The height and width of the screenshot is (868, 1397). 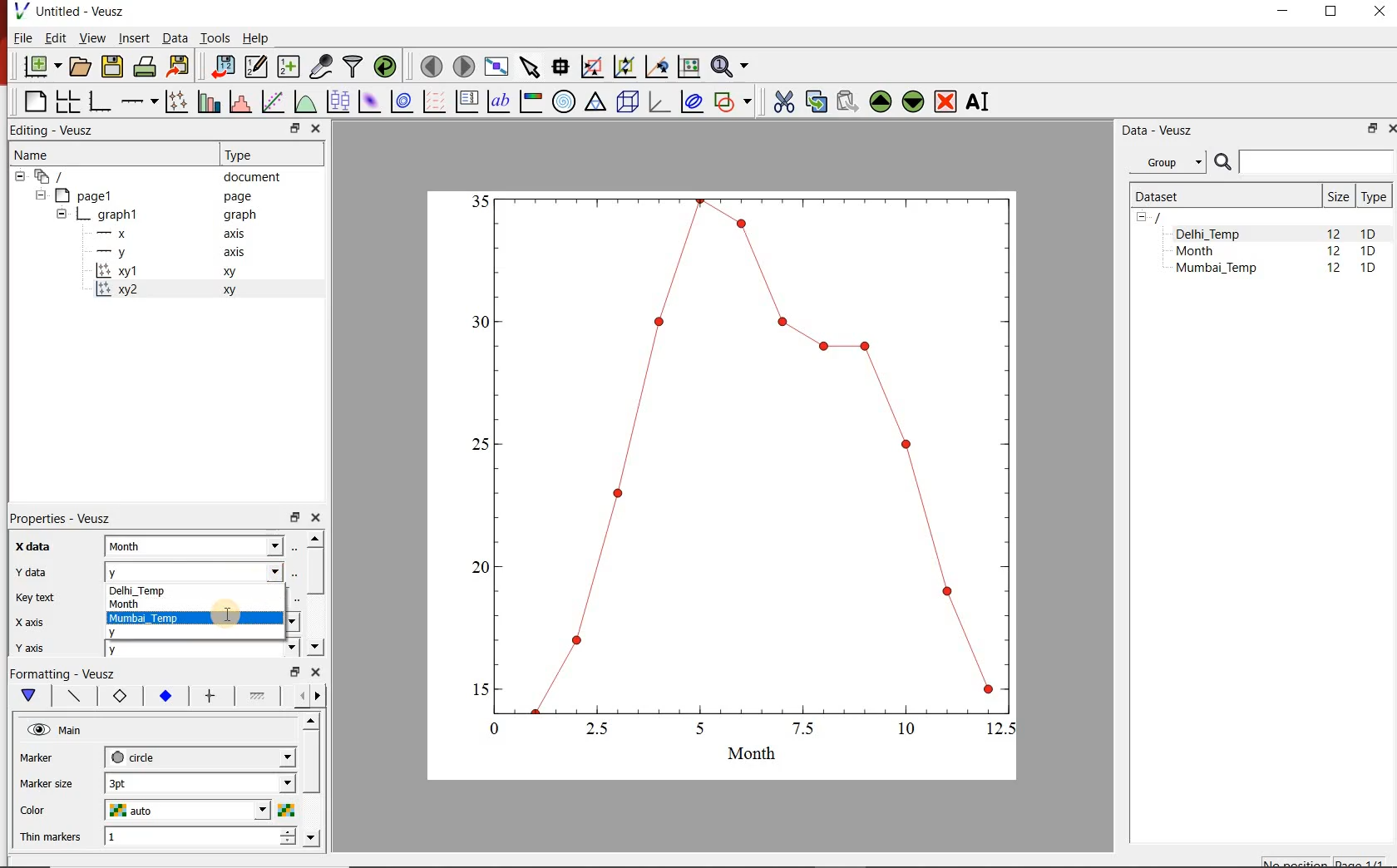 I want to click on MINIMIZE, so click(x=1284, y=12).